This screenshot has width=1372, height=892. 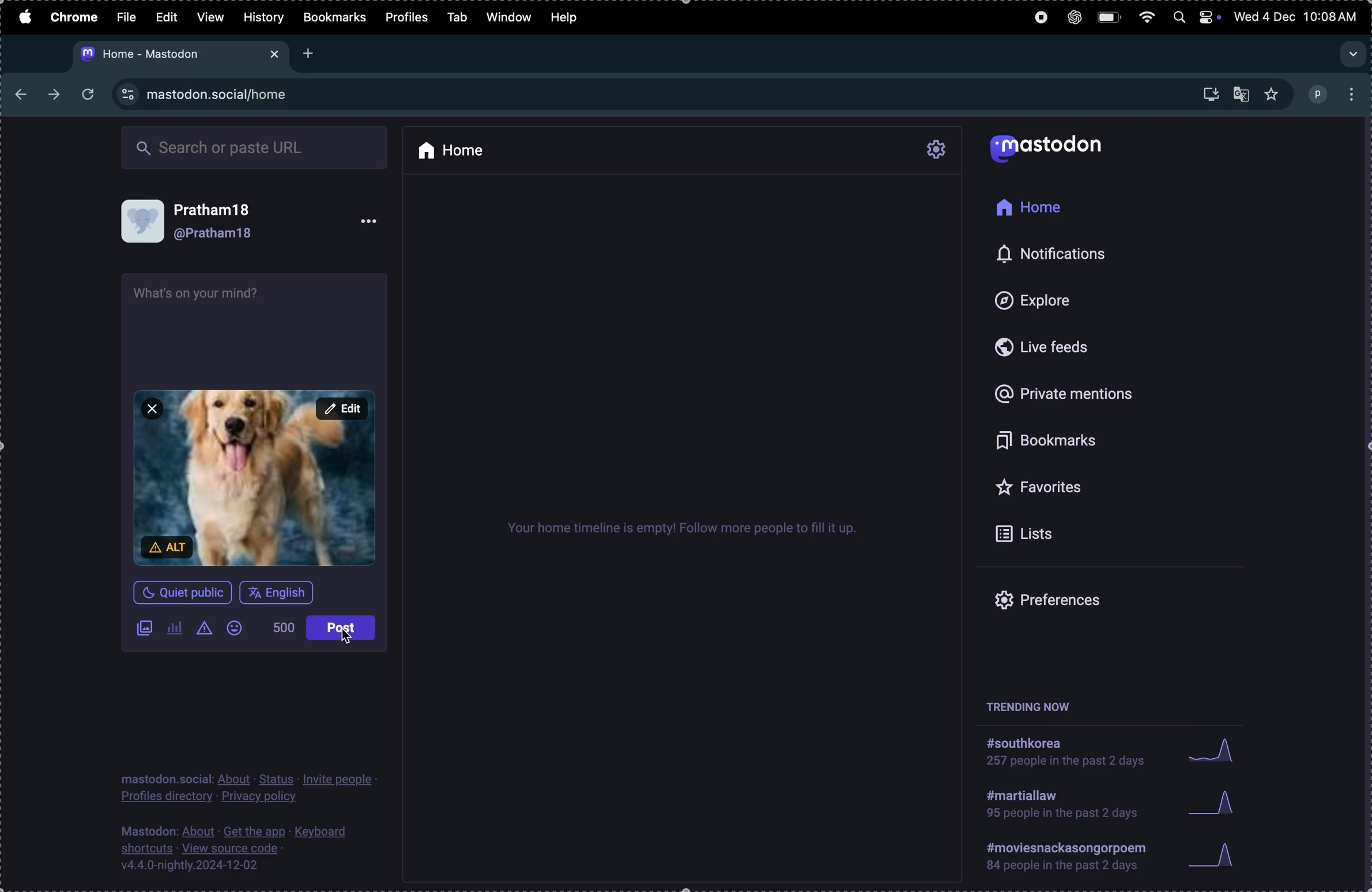 I want to click on Bookmarks, so click(x=334, y=17).